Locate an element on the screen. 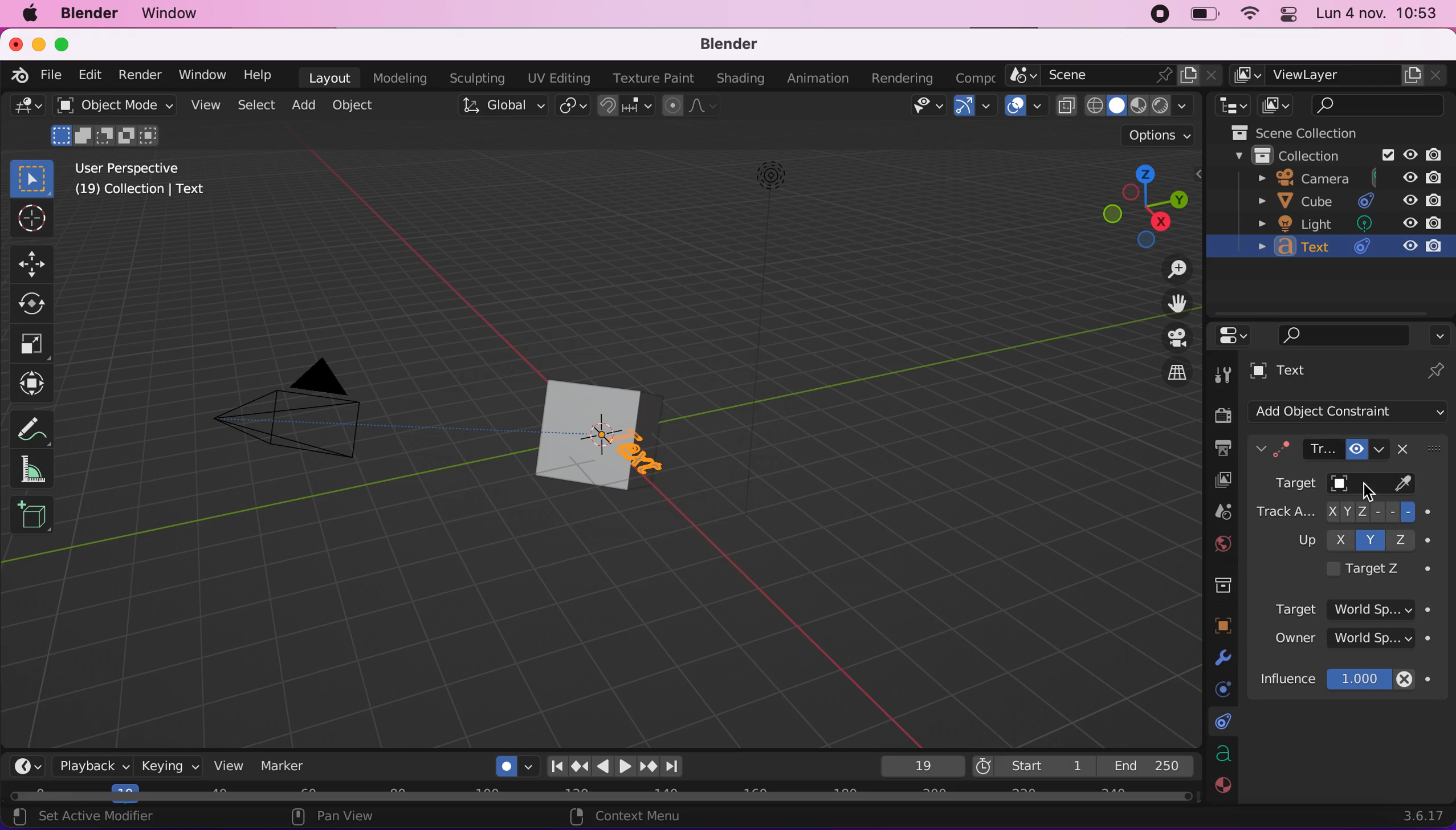 This screenshot has height=830, width=1456. modifyers is located at coordinates (1224, 658).